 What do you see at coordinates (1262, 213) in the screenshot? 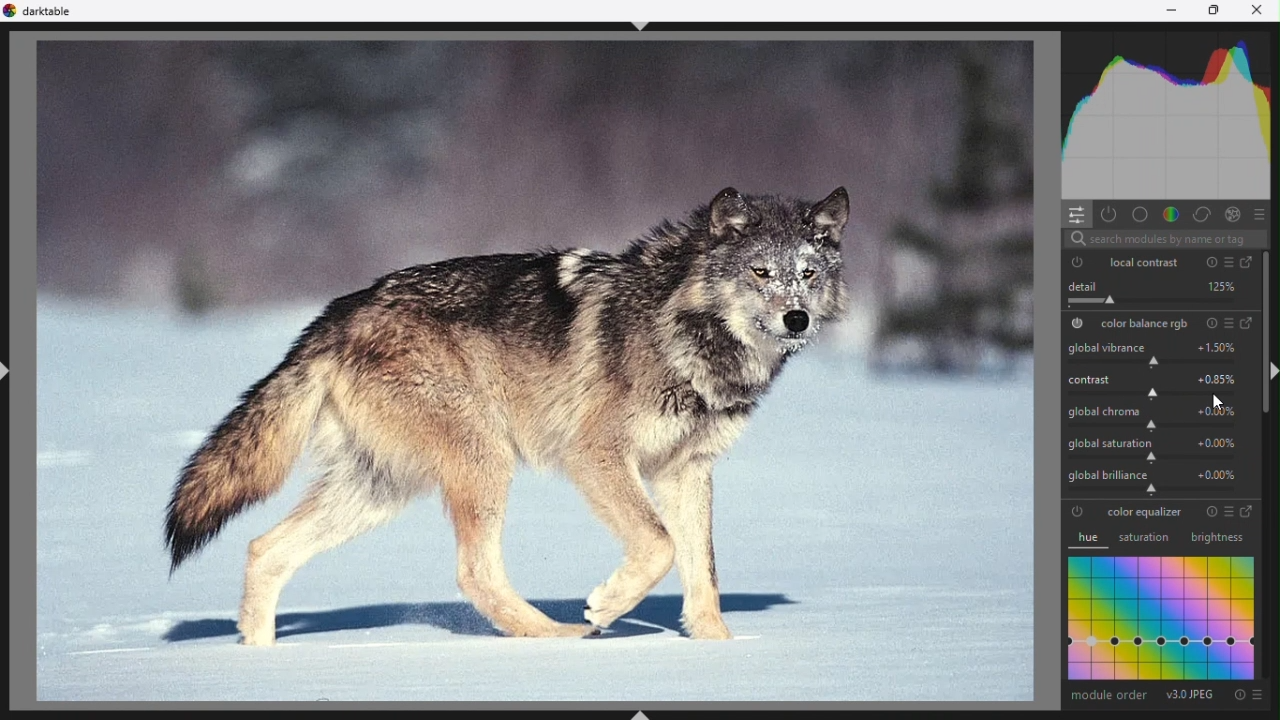
I see `presets` at bounding box center [1262, 213].